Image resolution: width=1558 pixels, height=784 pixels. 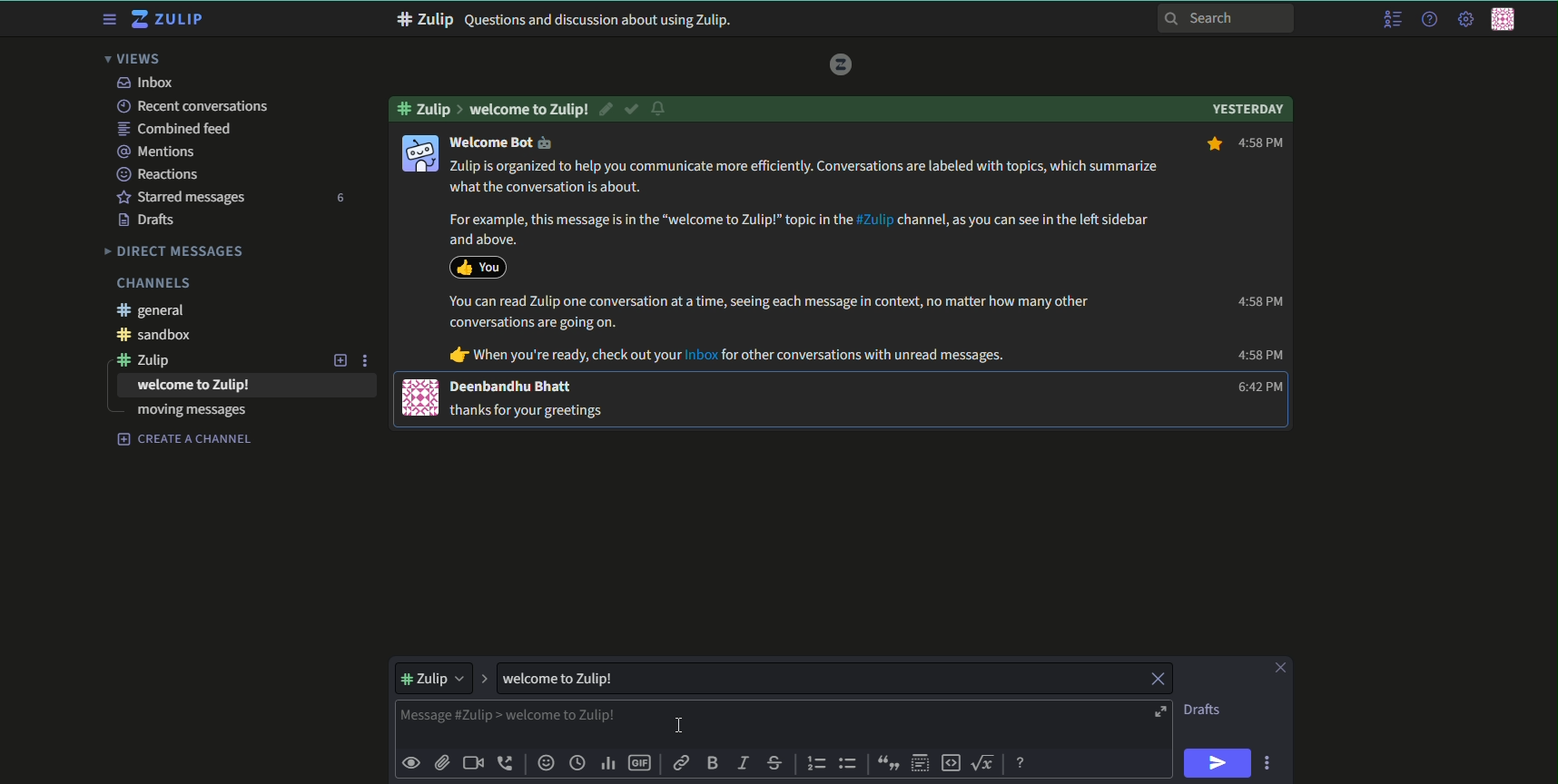 What do you see at coordinates (185, 439) in the screenshot?
I see `create a channel` at bounding box center [185, 439].